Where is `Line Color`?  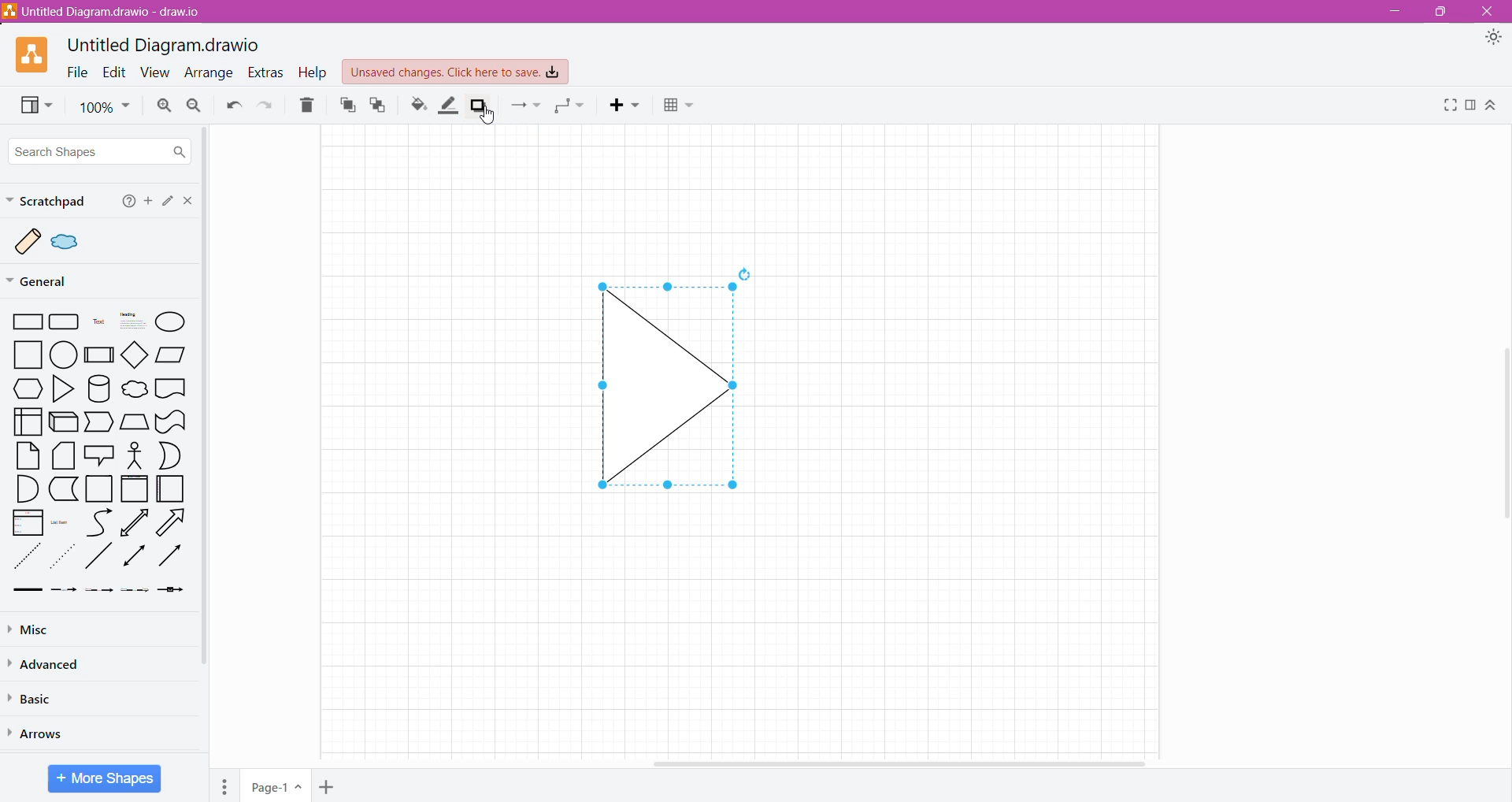 Line Color is located at coordinates (449, 106).